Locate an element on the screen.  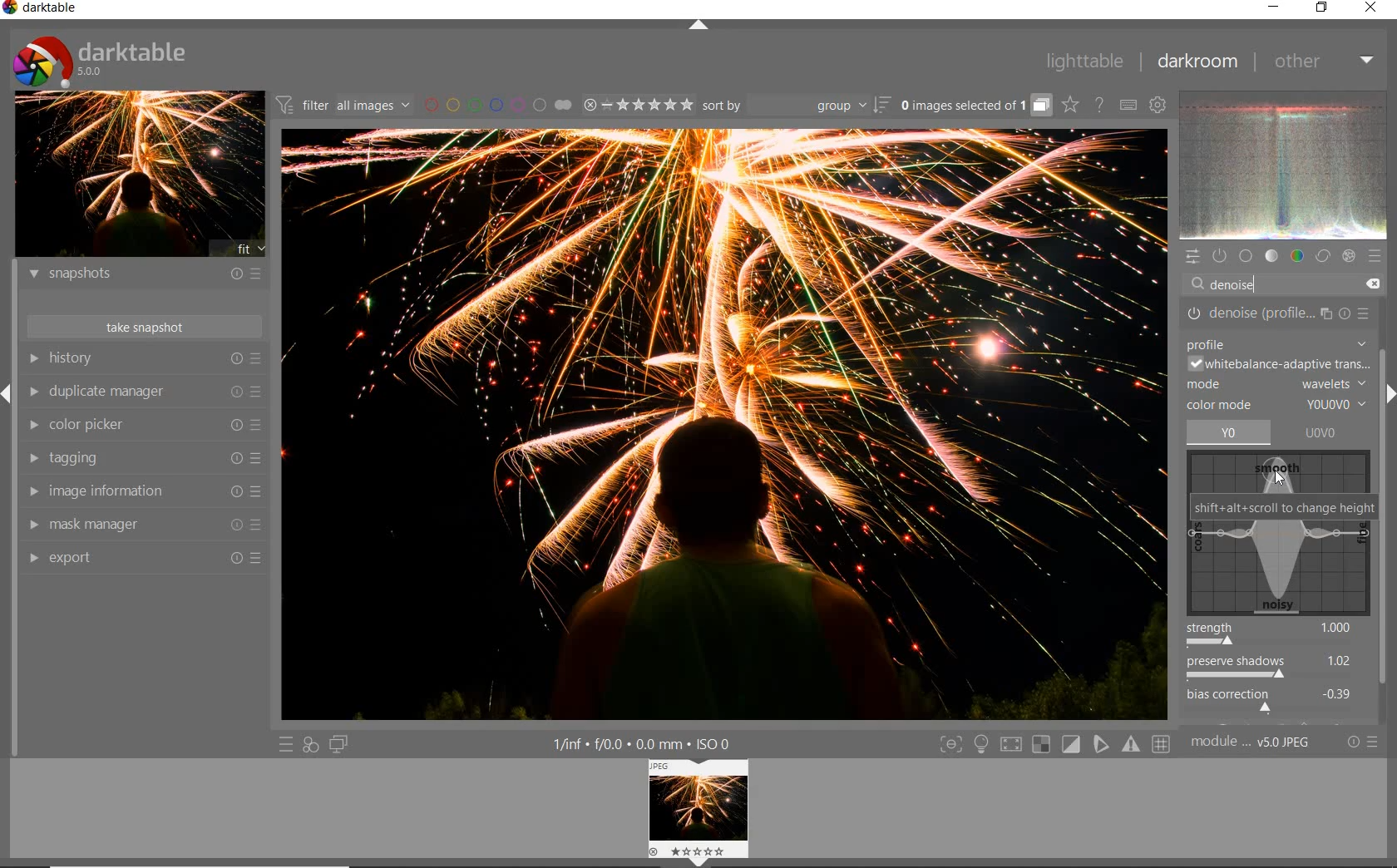
yo is located at coordinates (1230, 432).